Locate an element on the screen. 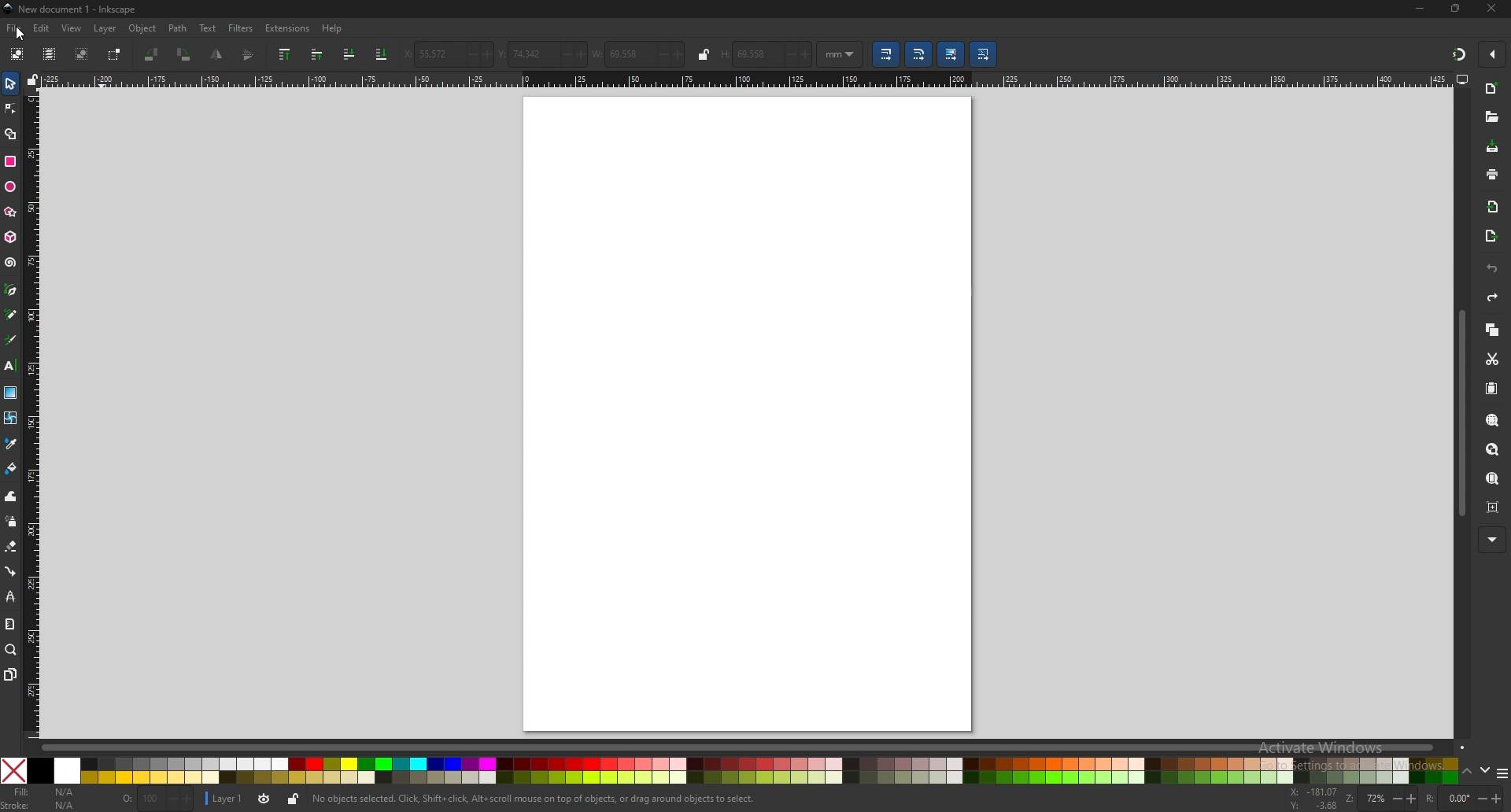 This screenshot has height=812, width=1511. H is located at coordinates (724, 56).